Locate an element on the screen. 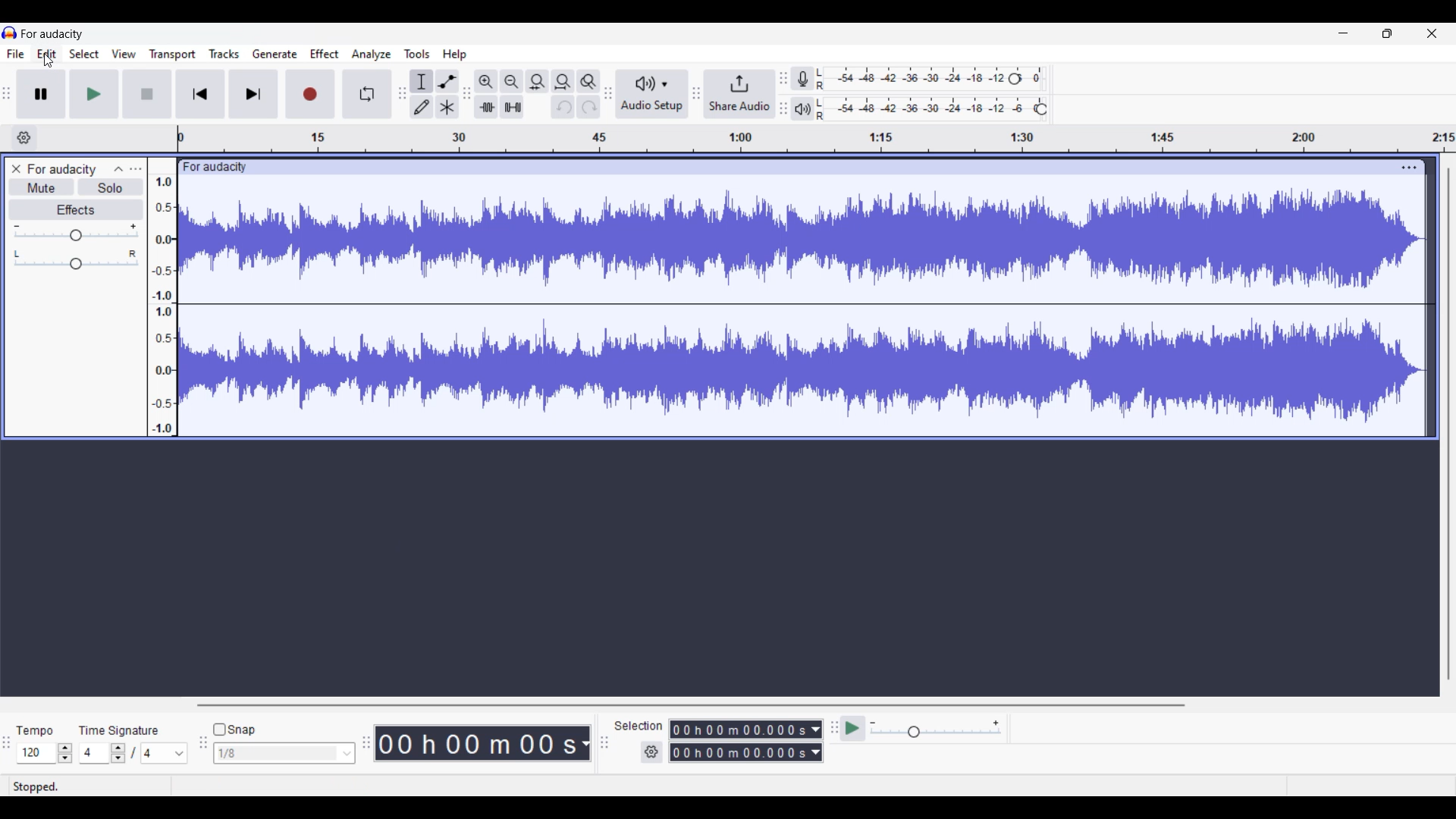 The height and width of the screenshot is (819, 1456). Header to change pan is located at coordinates (76, 264).